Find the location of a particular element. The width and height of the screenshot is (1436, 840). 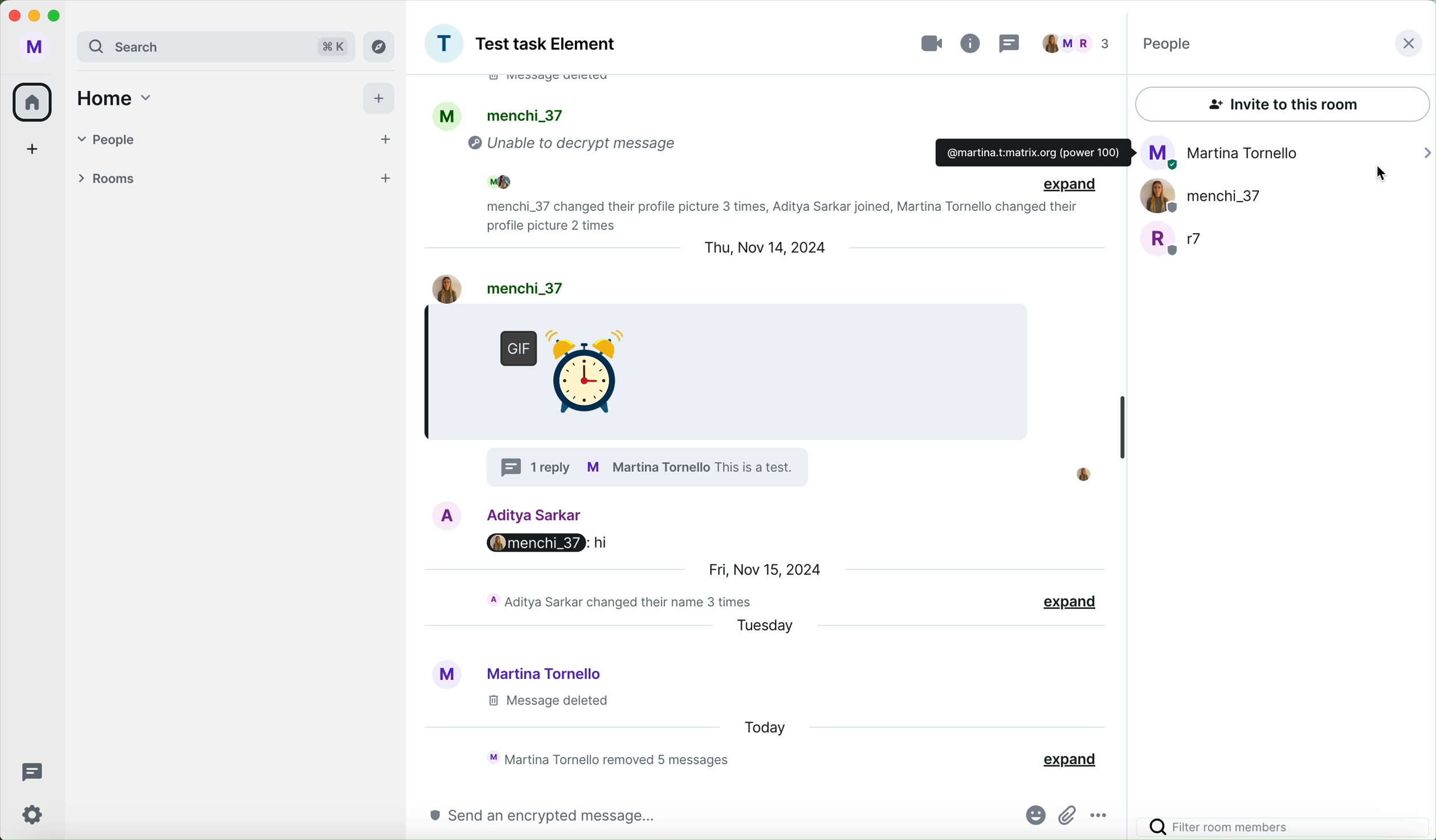

people is located at coordinates (521, 181).